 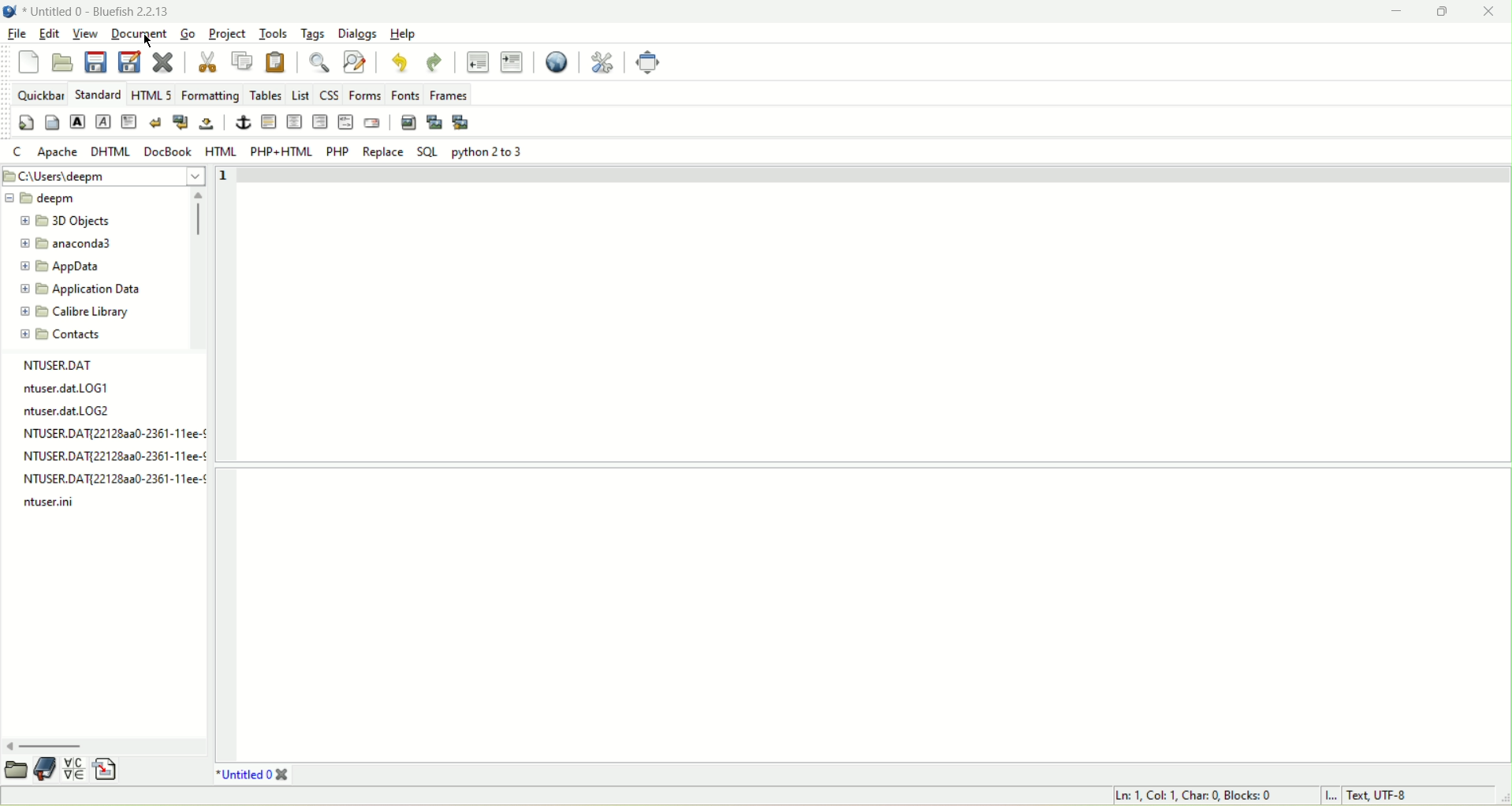 I want to click on find and replace, so click(x=356, y=62).